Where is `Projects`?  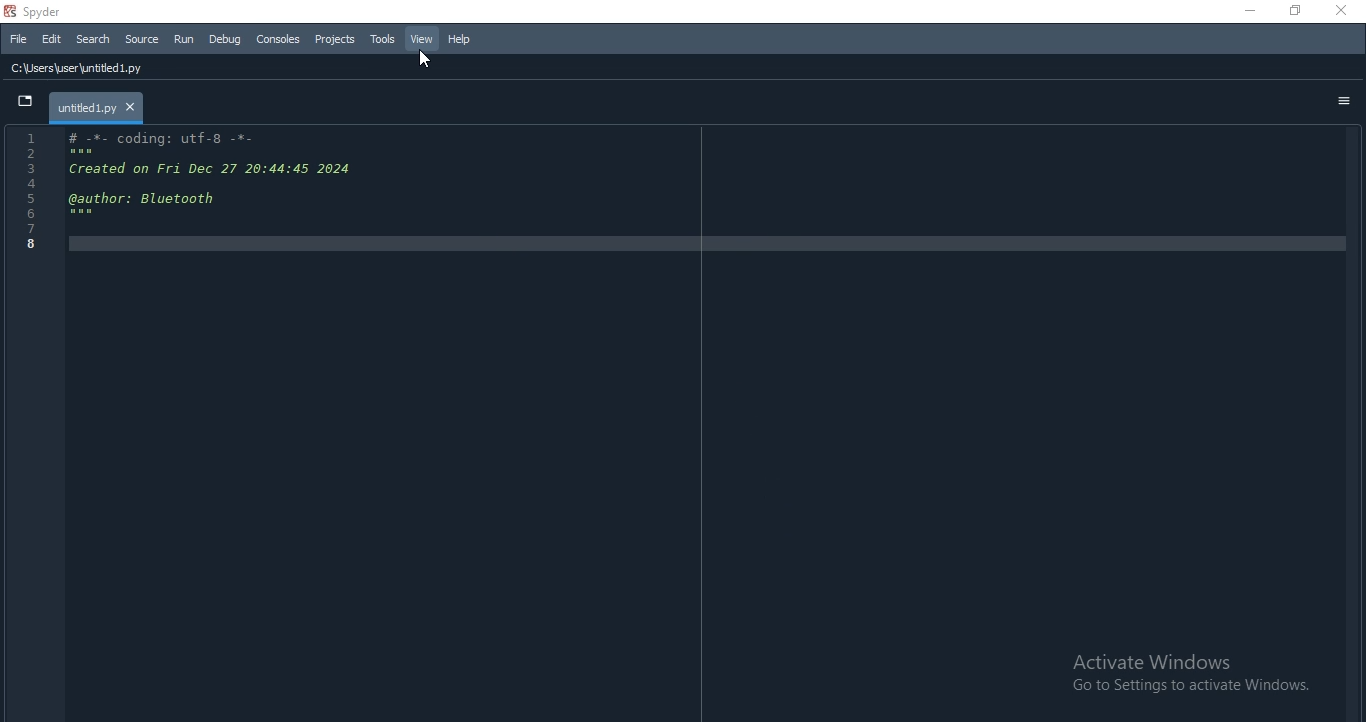
Projects is located at coordinates (334, 39).